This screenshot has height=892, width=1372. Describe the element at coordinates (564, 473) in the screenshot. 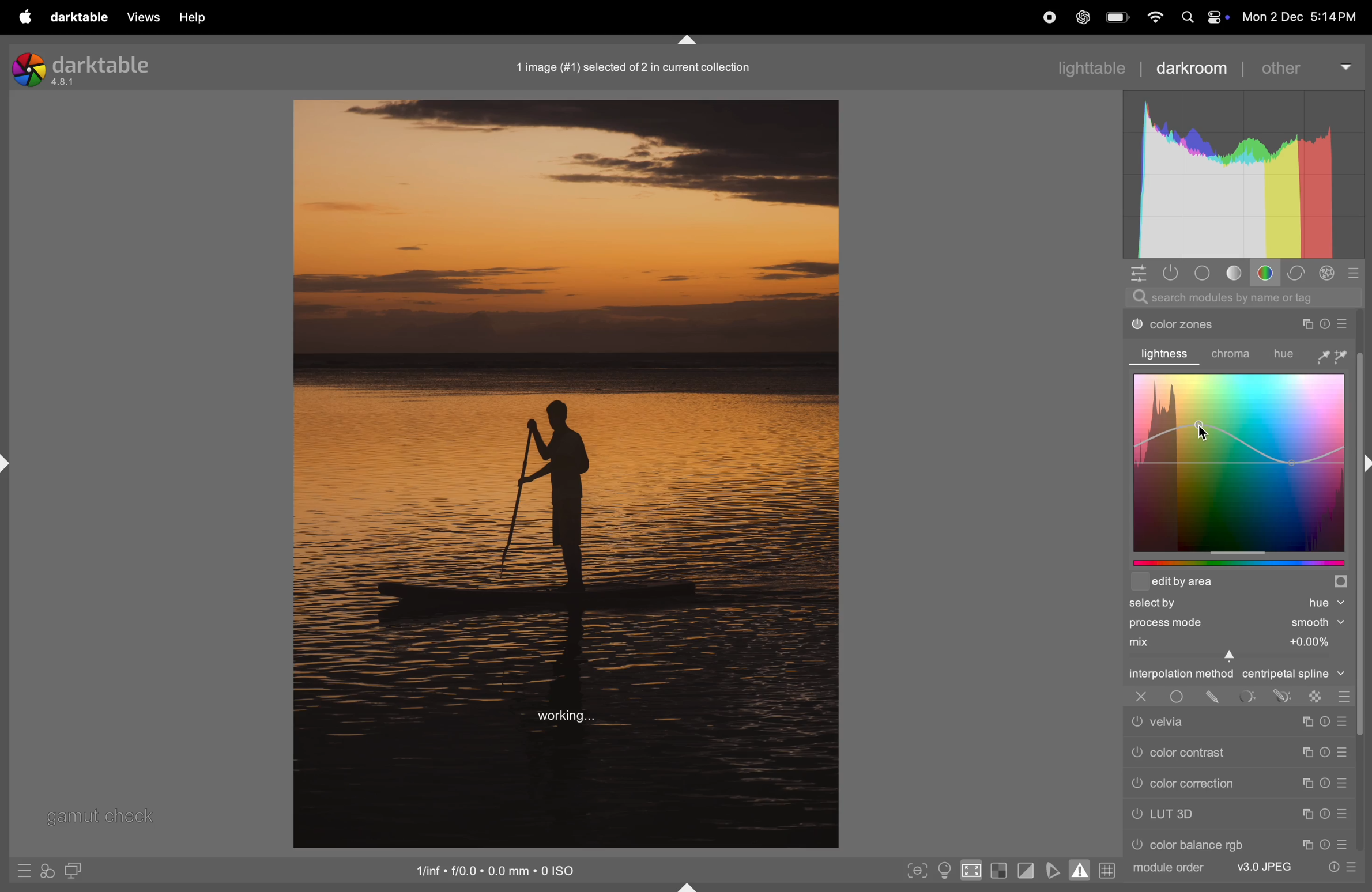

I see `Image` at that location.